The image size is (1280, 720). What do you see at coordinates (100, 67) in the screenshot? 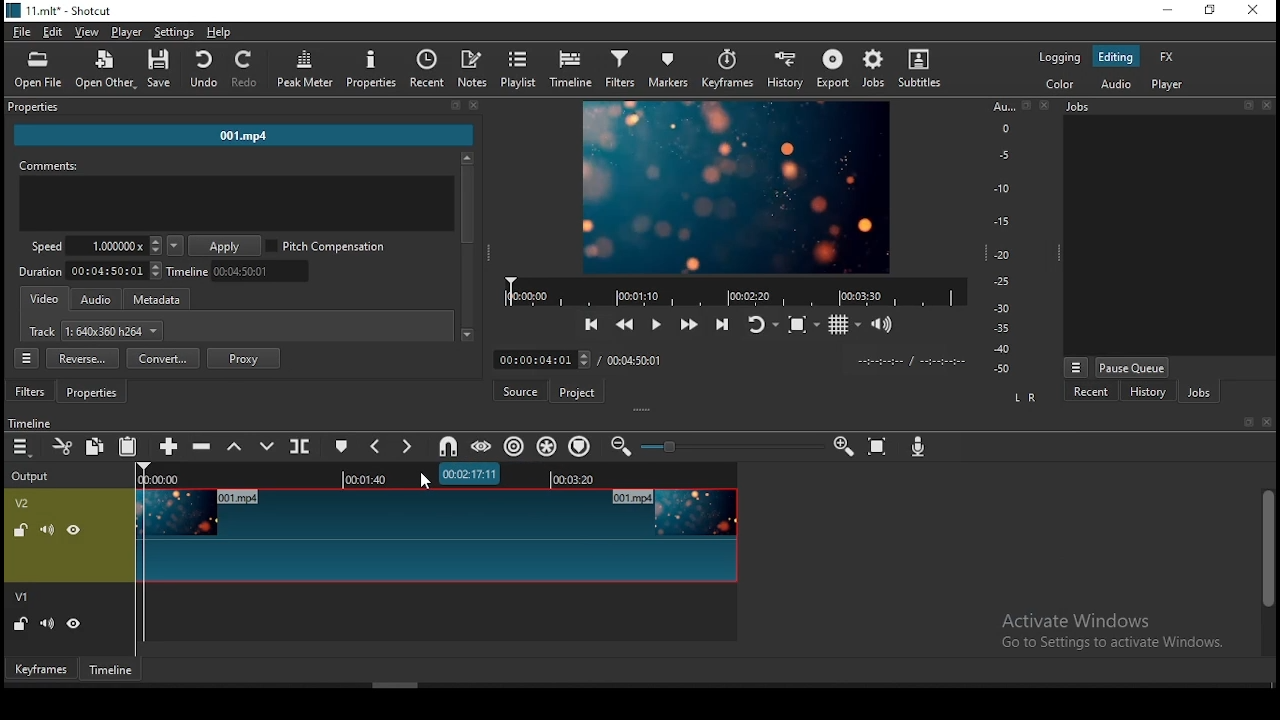
I see `open other` at bounding box center [100, 67].